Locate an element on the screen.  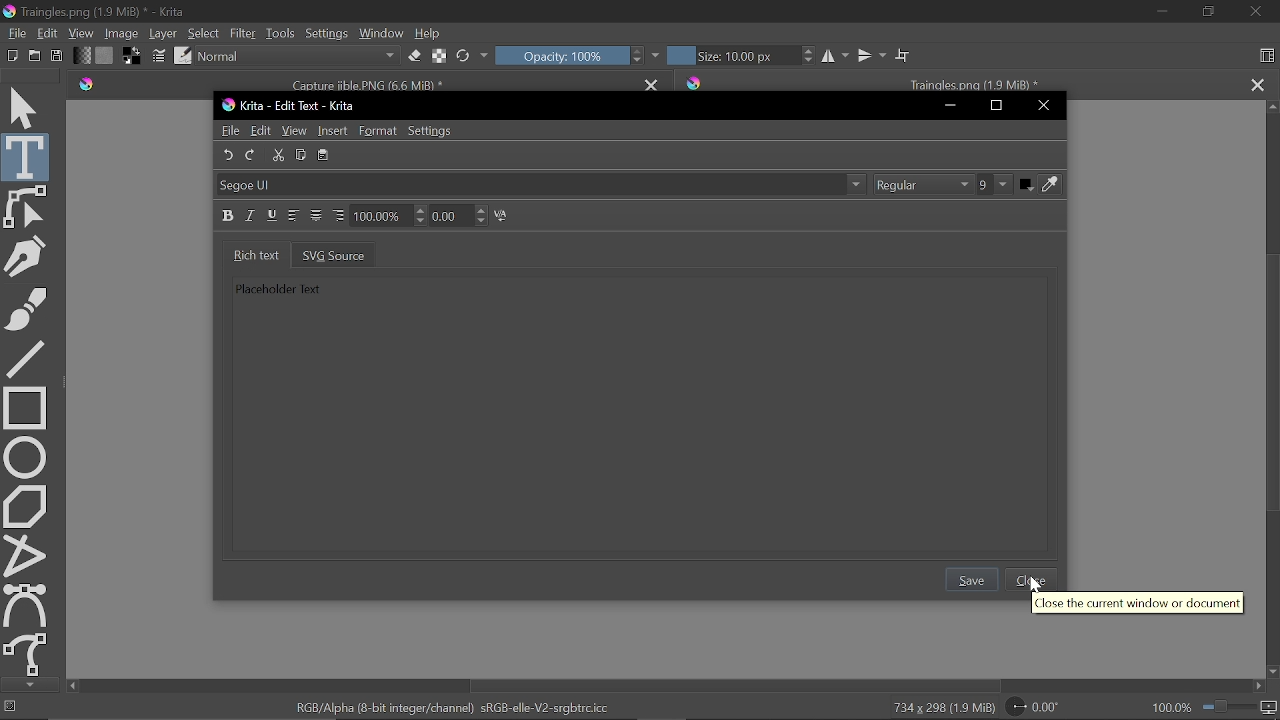
Insert is located at coordinates (334, 131).